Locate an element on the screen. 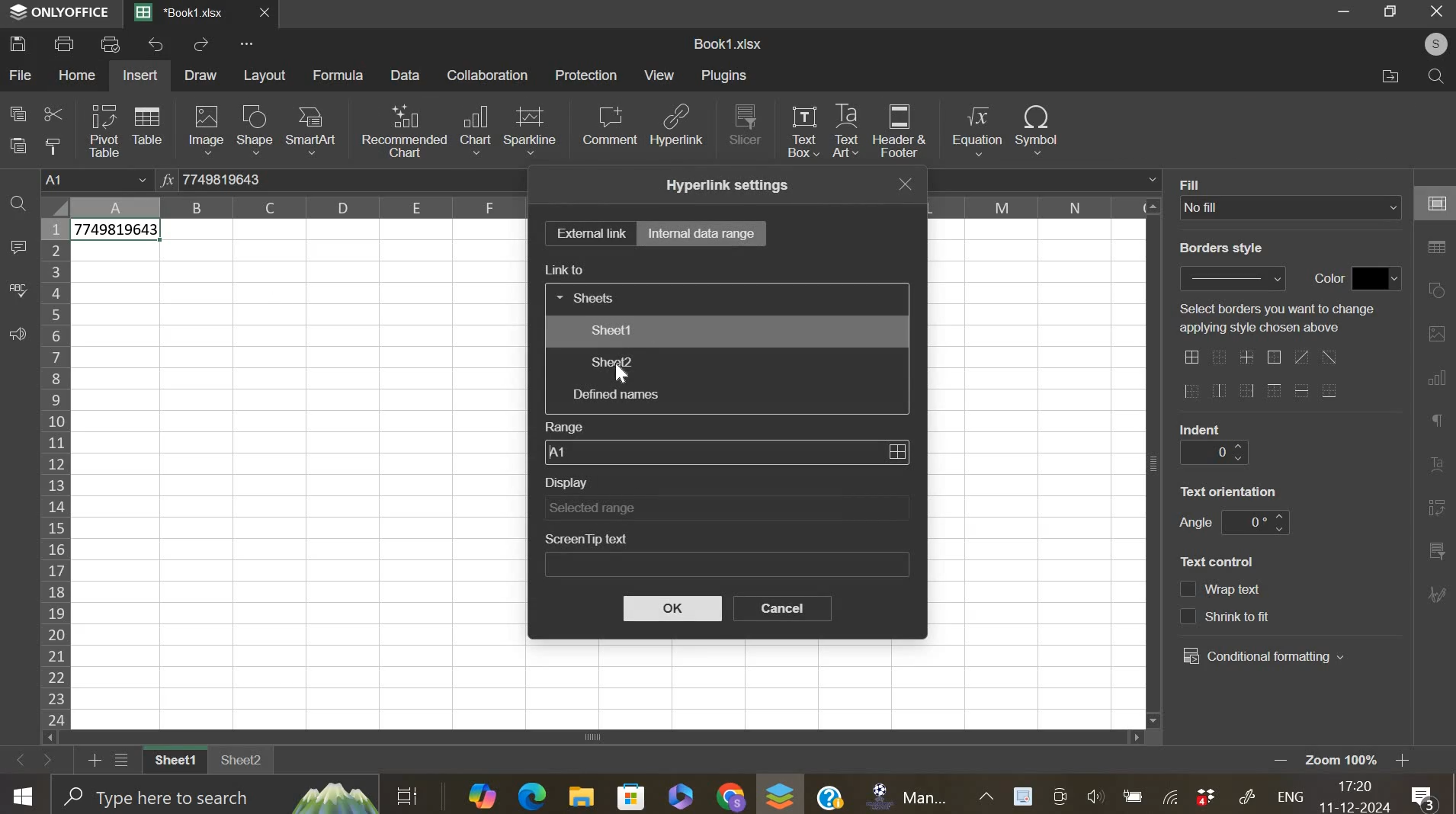 This screenshot has width=1456, height=814. cell name is located at coordinates (98, 181).